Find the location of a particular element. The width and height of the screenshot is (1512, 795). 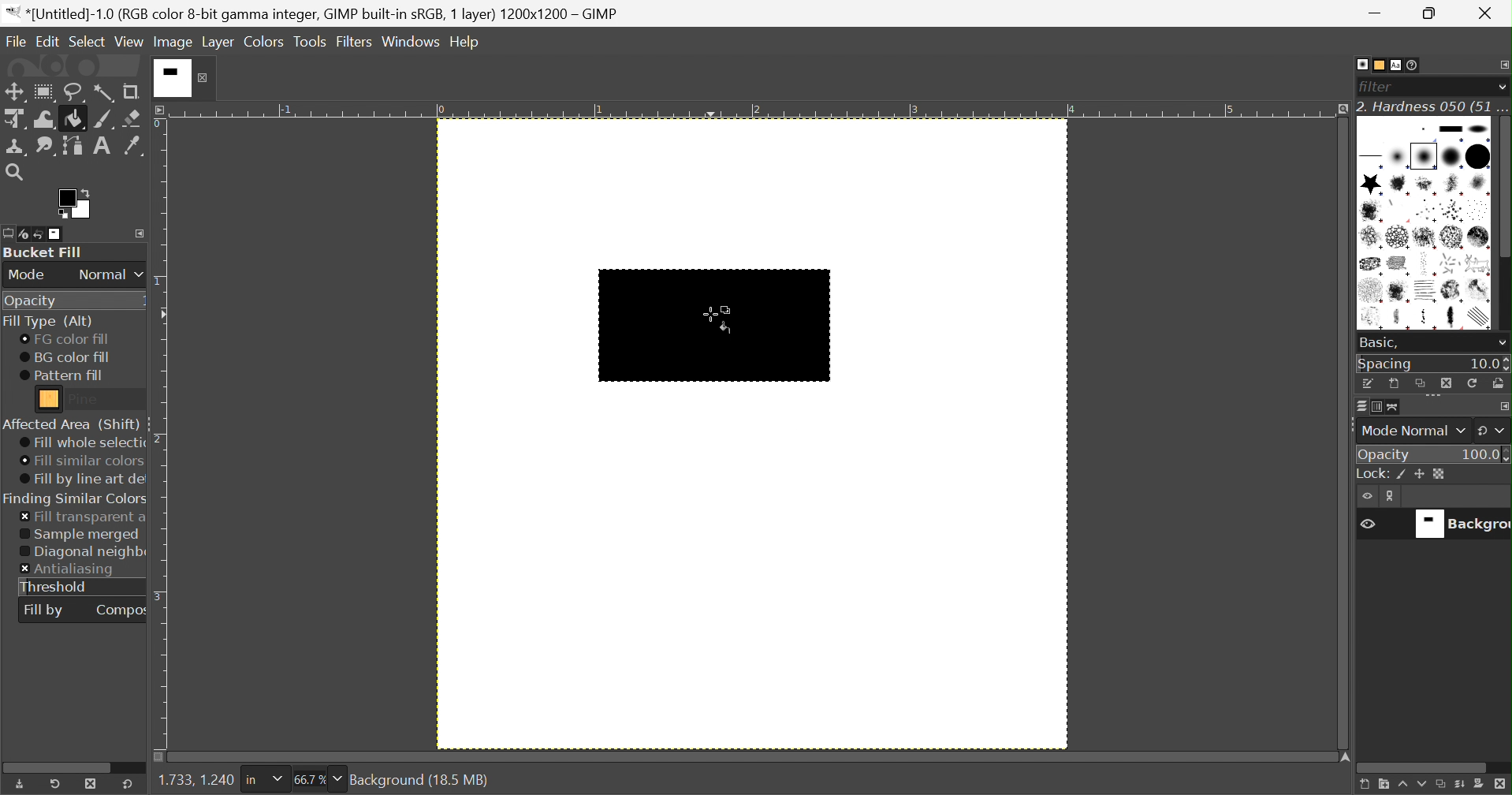

Create a new layer and add it to the image is located at coordinates (1362, 786).